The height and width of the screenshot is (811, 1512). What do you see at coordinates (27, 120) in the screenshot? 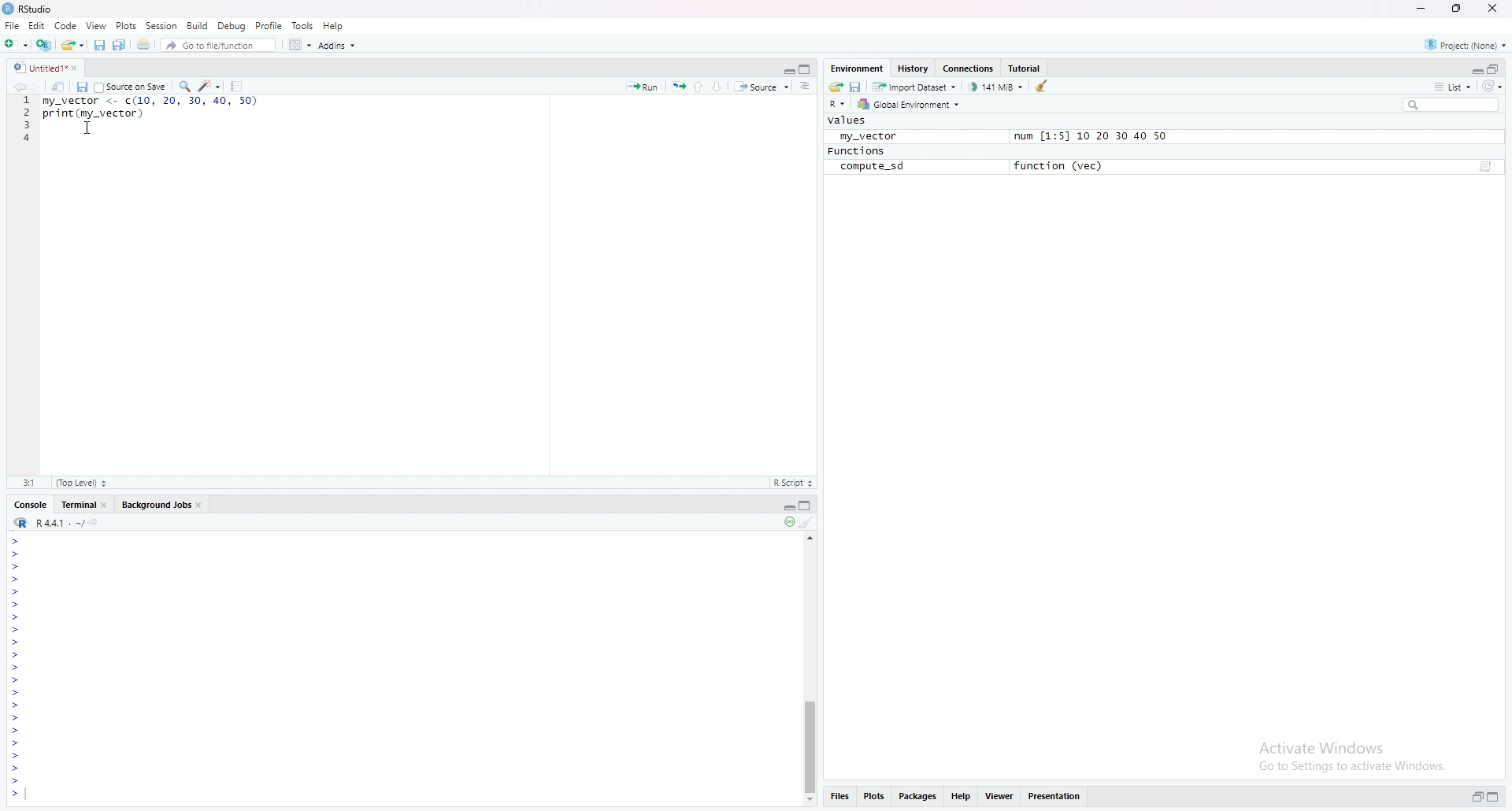
I see `1 2 3 4` at bounding box center [27, 120].